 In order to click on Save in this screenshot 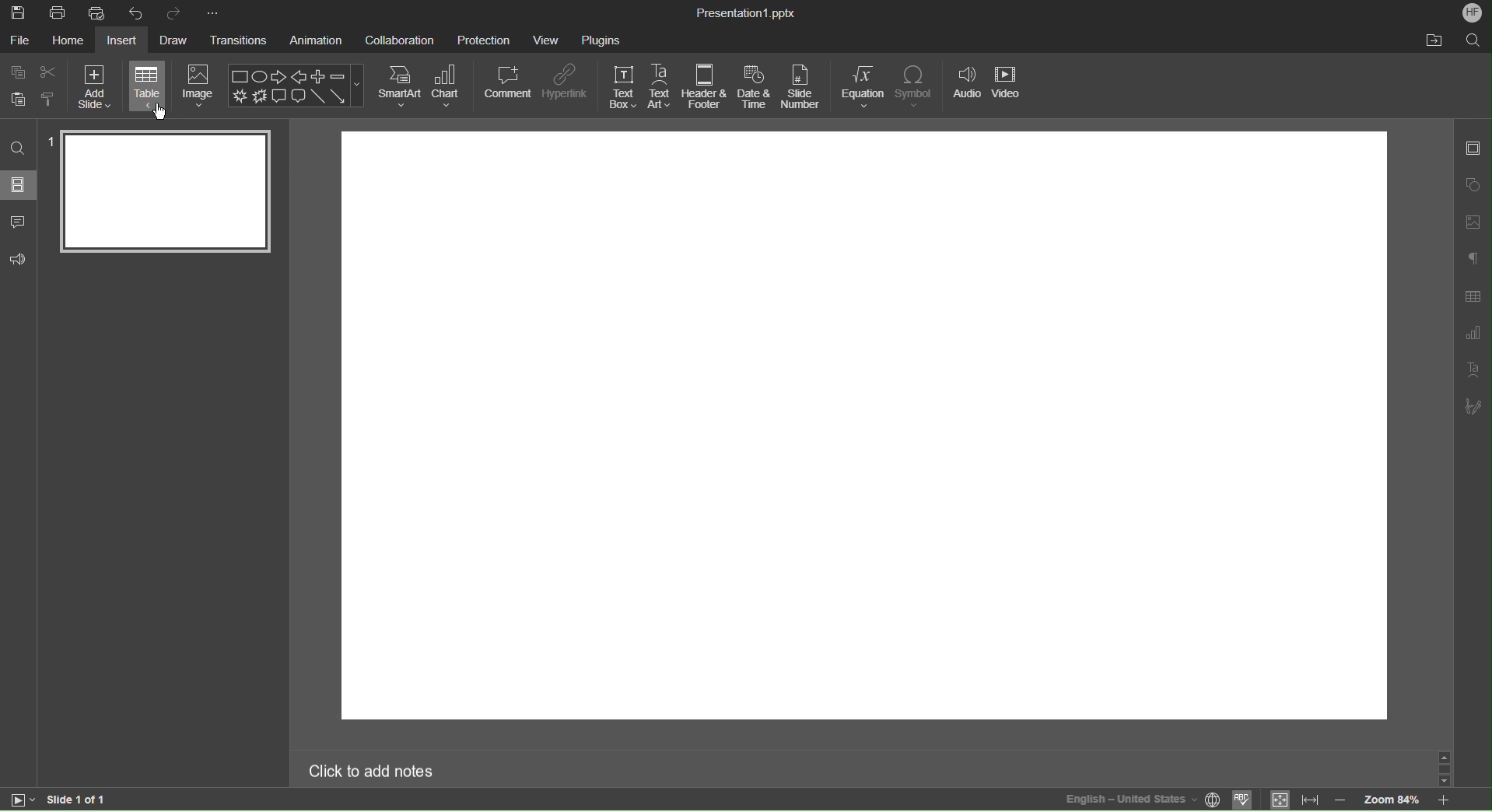, I will do `click(18, 12)`.